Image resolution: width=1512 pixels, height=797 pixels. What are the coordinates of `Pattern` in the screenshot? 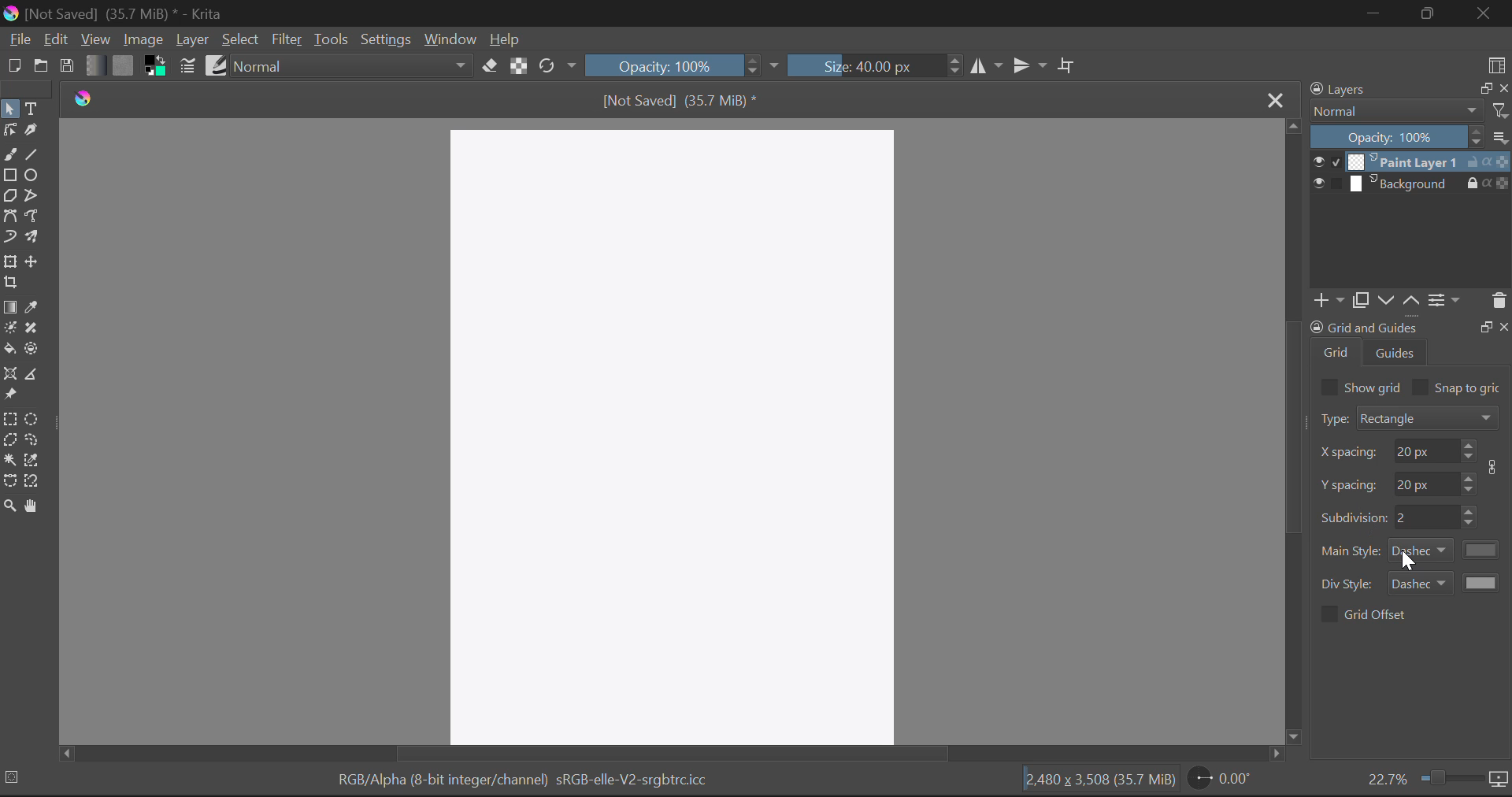 It's located at (124, 65).